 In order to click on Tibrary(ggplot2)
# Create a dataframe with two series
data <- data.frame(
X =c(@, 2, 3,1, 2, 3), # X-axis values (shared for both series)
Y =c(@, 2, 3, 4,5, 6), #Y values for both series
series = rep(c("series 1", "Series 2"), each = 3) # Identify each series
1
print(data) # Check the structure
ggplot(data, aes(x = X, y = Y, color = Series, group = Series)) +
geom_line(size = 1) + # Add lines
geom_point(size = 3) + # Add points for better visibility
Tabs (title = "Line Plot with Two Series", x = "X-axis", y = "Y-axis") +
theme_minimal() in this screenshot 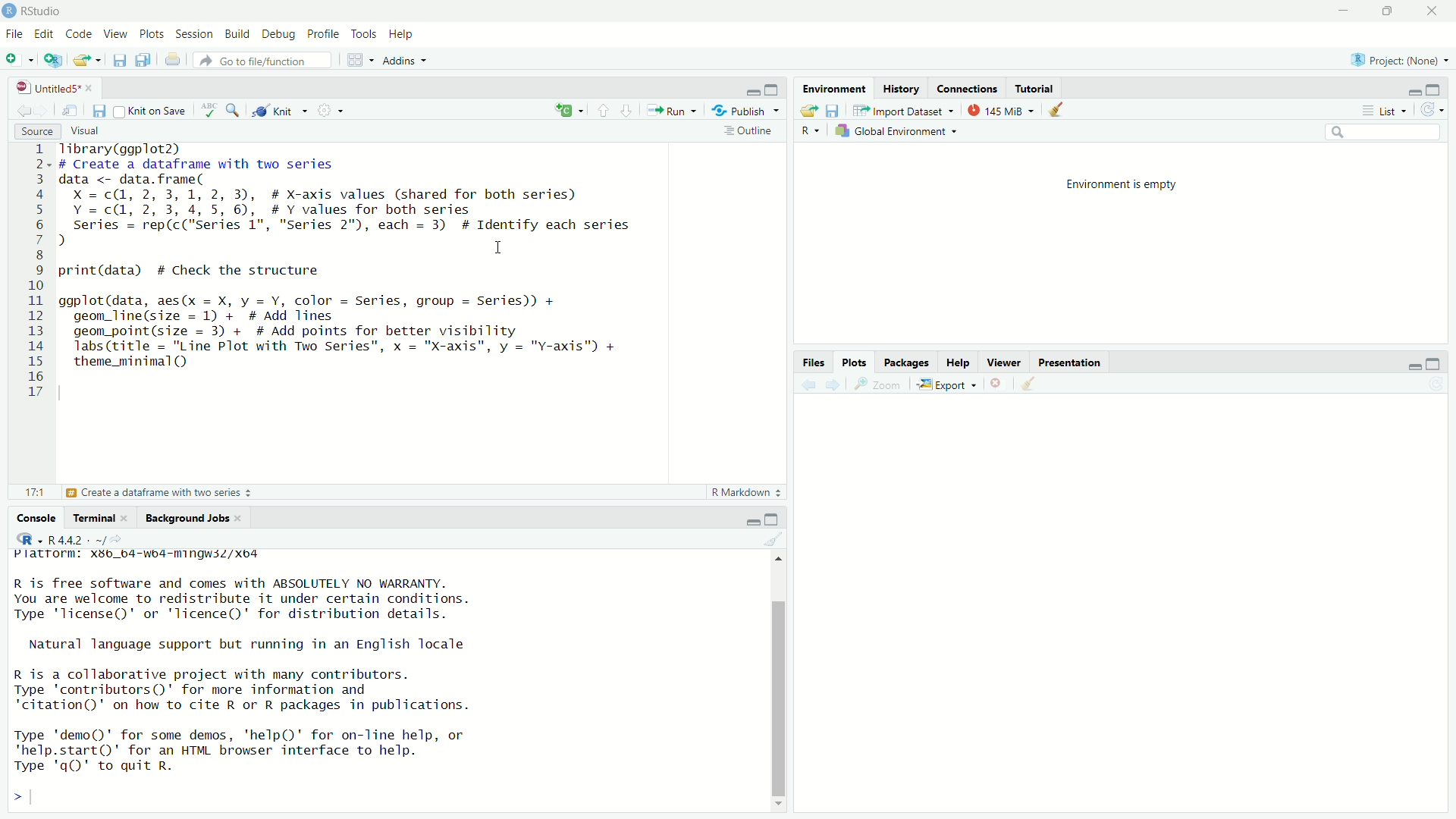, I will do `click(366, 271)`.